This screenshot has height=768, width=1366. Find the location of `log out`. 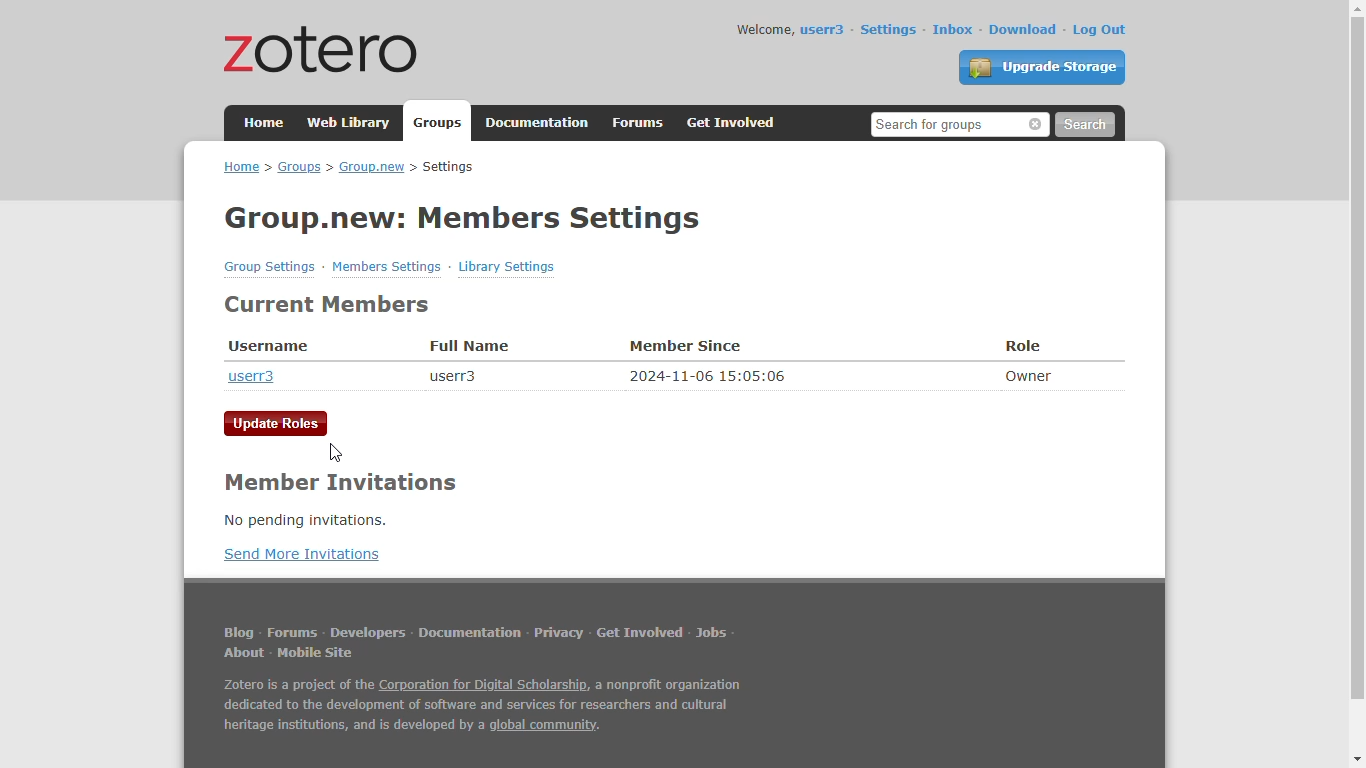

log out is located at coordinates (1100, 30).